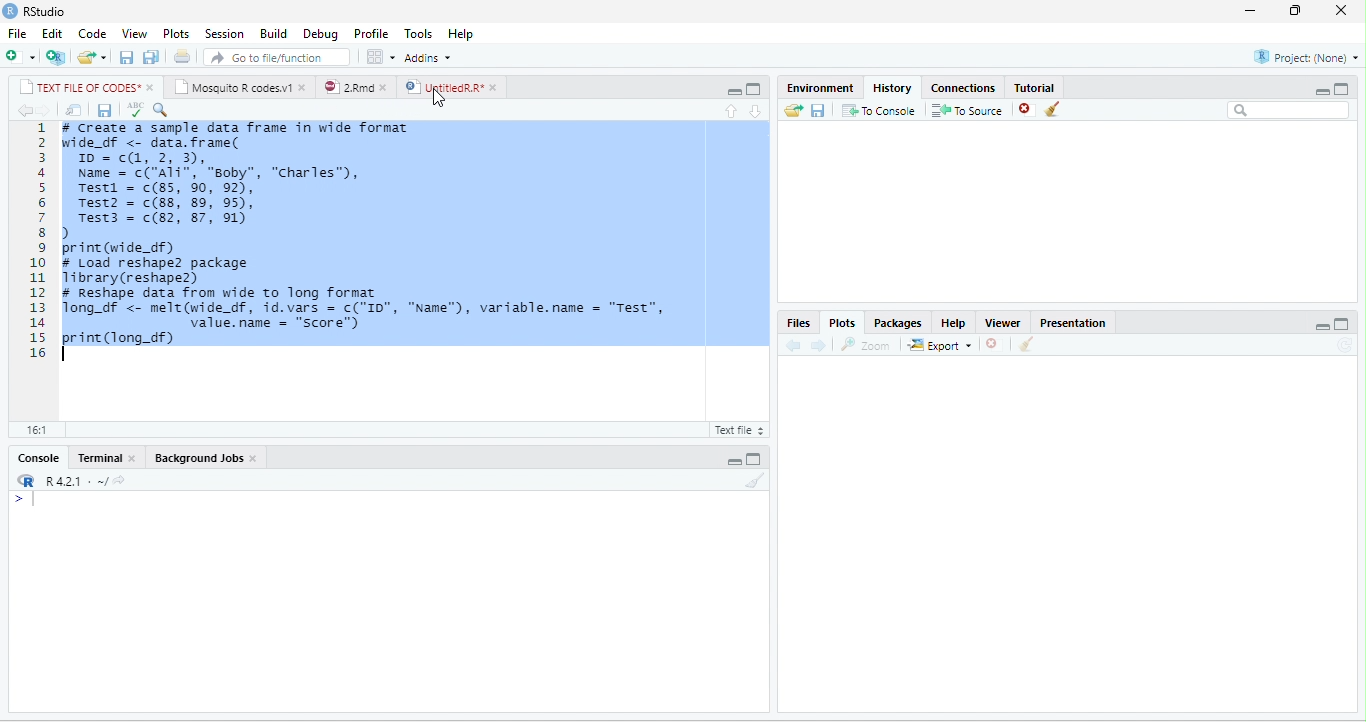  What do you see at coordinates (135, 34) in the screenshot?
I see `View` at bounding box center [135, 34].